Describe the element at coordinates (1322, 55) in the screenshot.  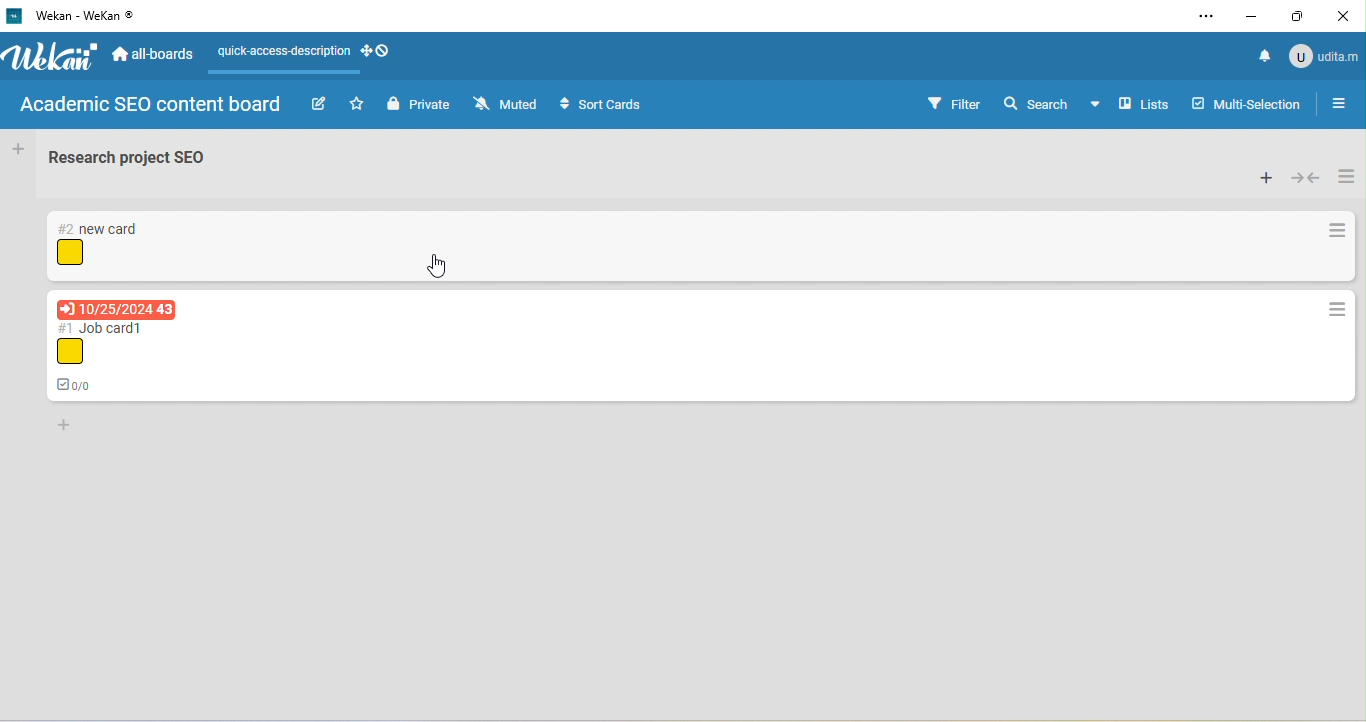
I see `account` at that location.